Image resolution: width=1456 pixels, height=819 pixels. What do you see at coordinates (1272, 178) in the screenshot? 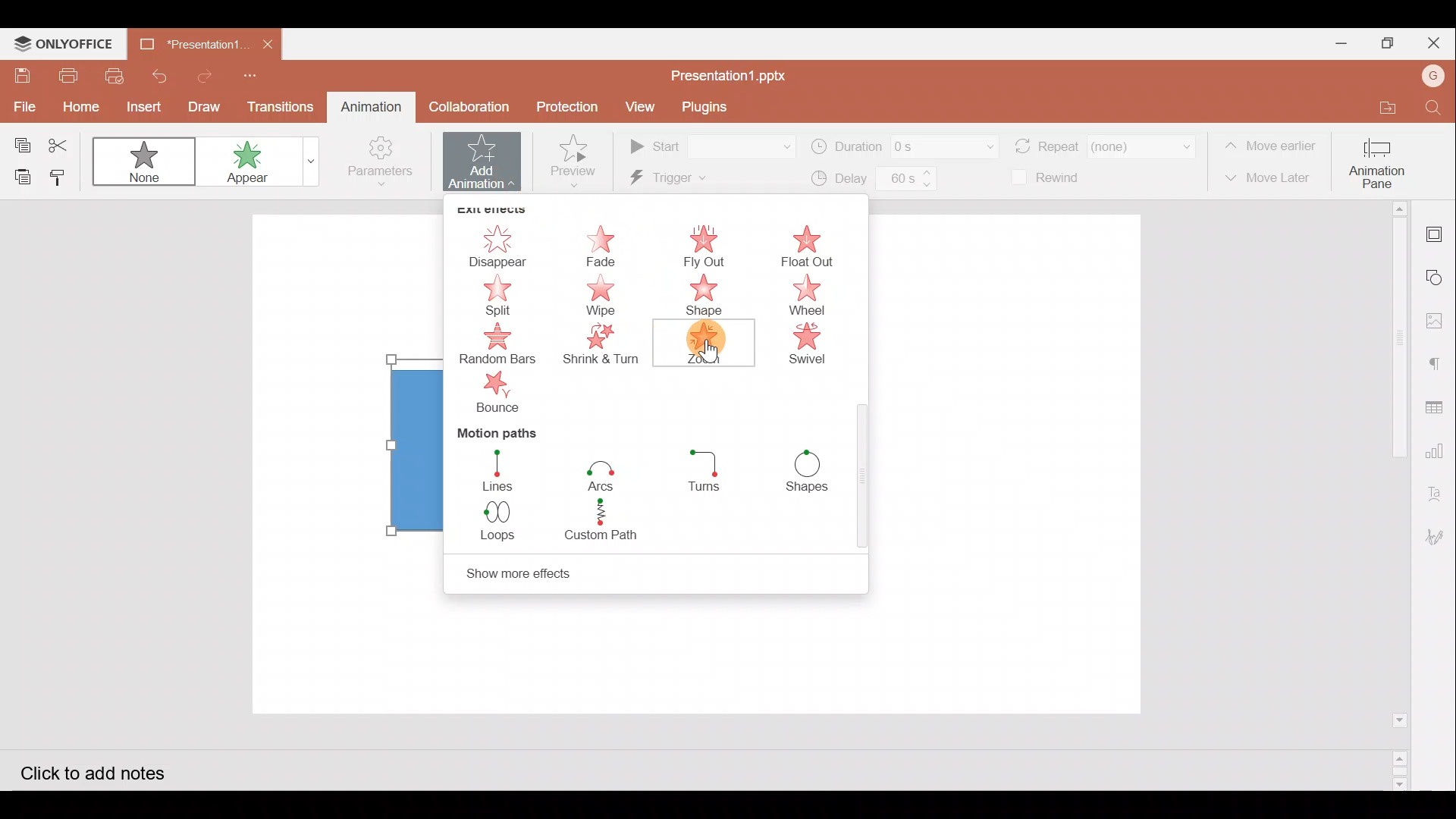
I see `Move later` at bounding box center [1272, 178].